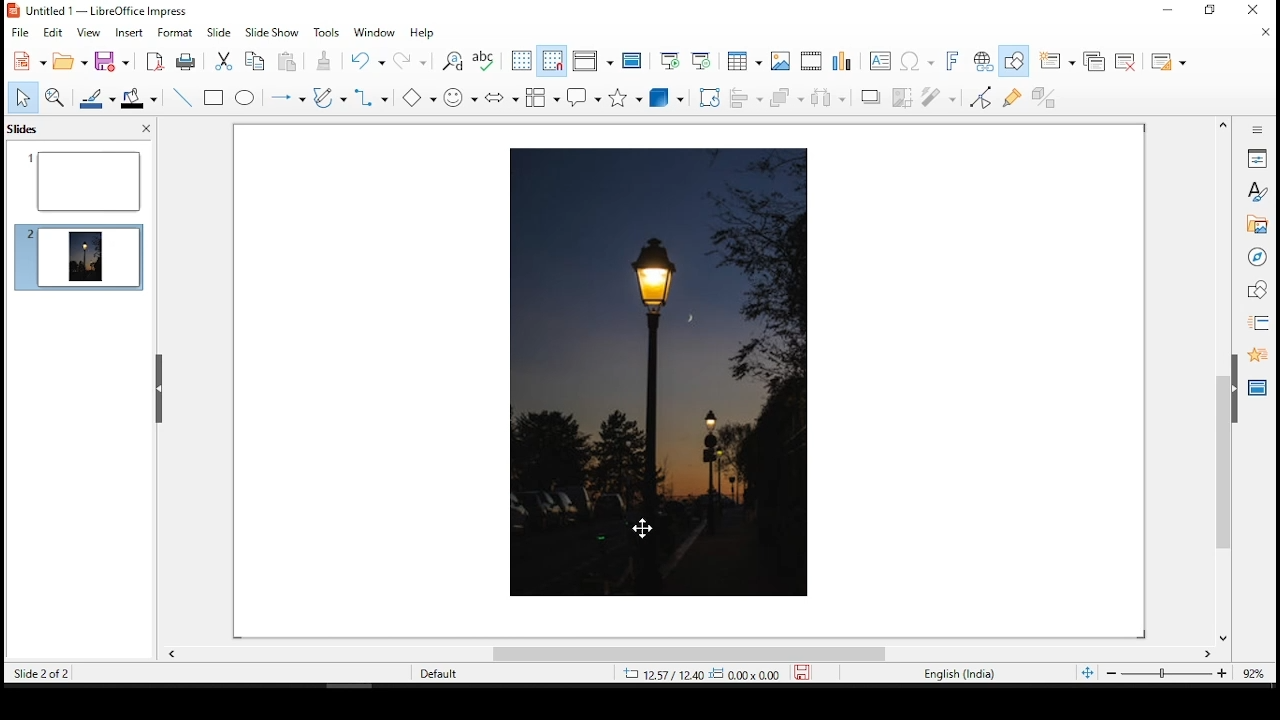  Describe the element at coordinates (1253, 130) in the screenshot. I see `sidebar settings` at that location.